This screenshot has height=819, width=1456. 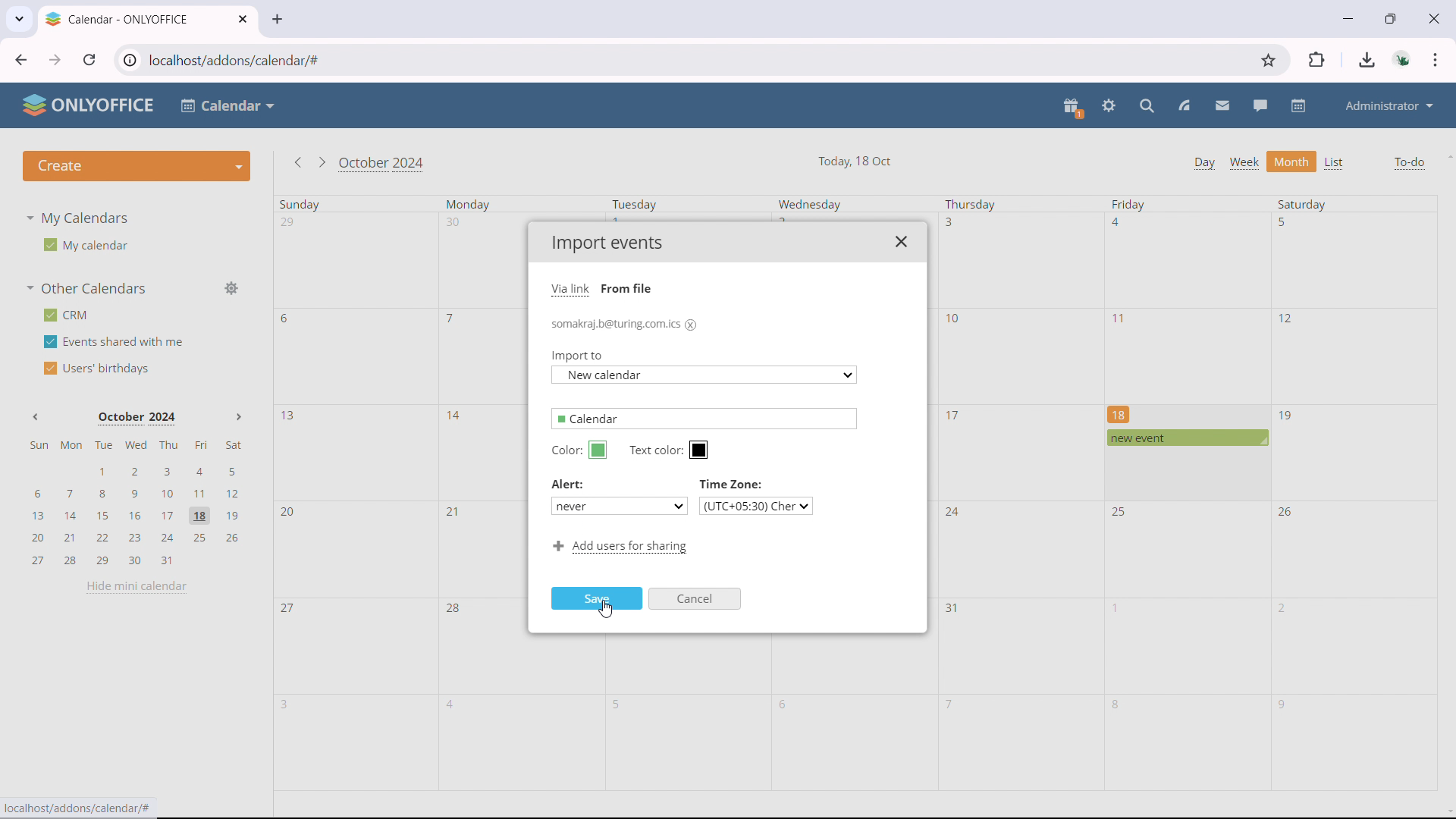 What do you see at coordinates (704, 419) in the screenshot?
I see `Calendar` at bounding box center [704, 419].